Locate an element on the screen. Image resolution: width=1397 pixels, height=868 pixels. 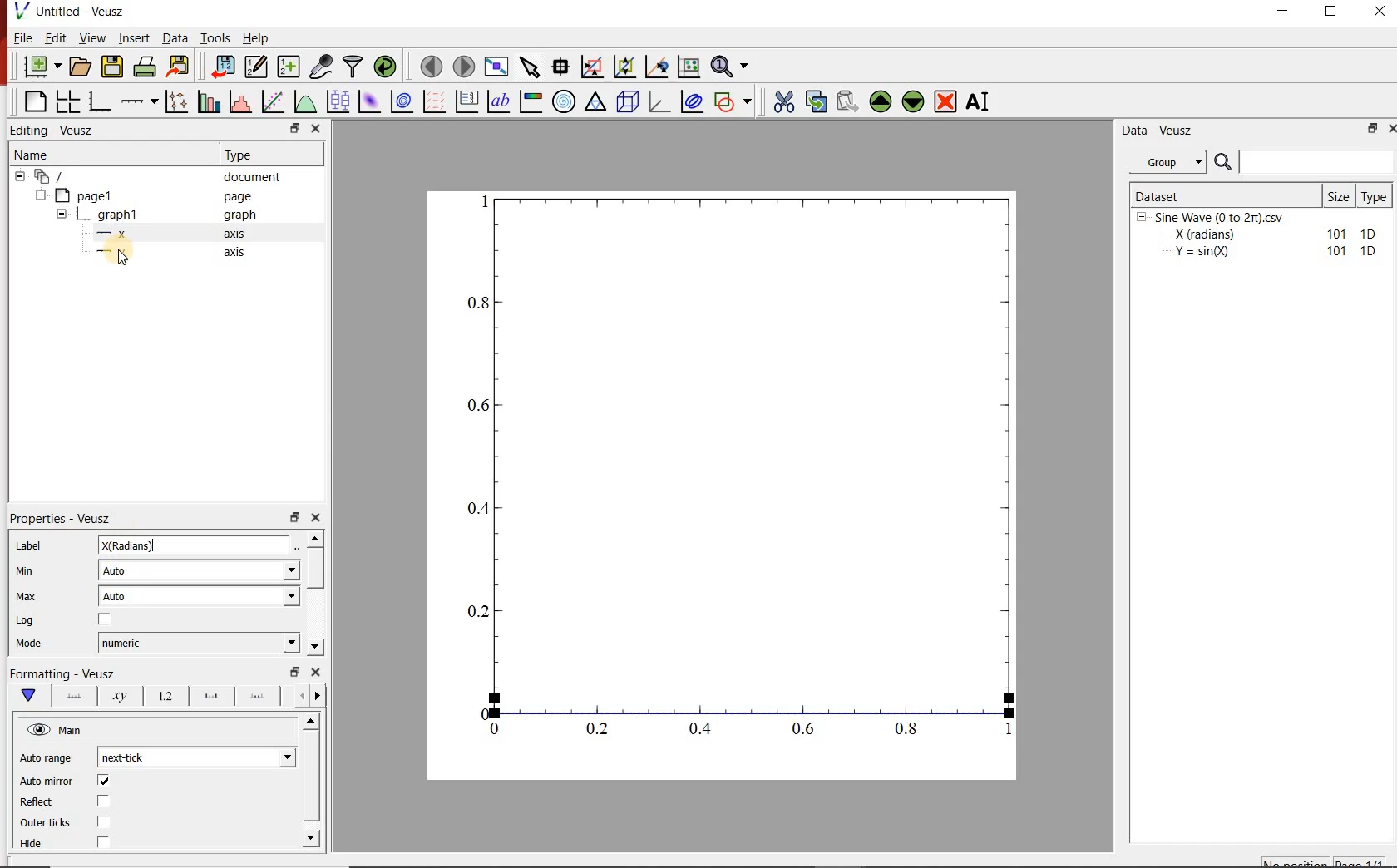
Close is located at coordinates (1389, 131).